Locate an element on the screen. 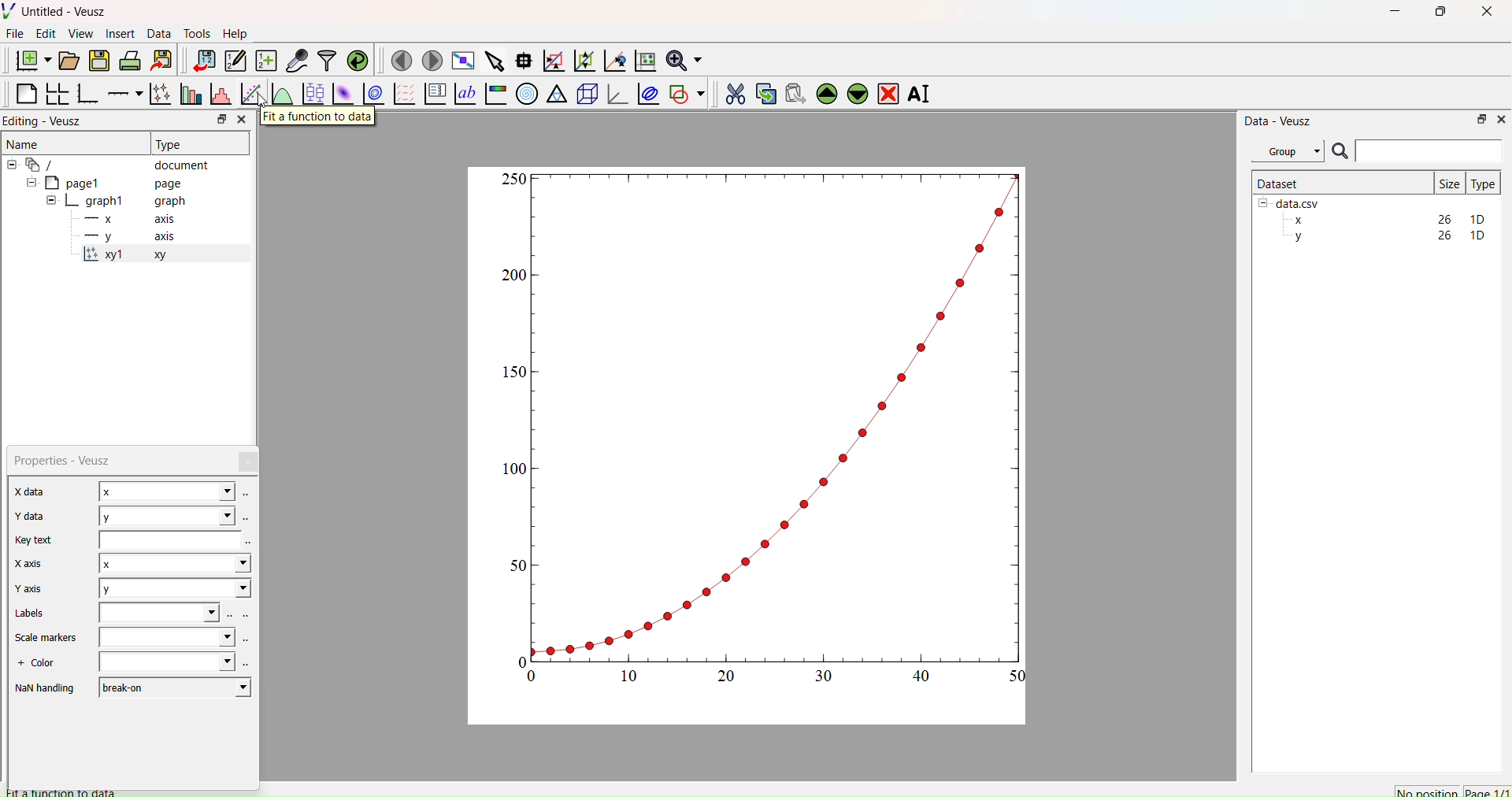 The width and height of the screenshot is (1512, 797). Plot Vector Field is located at coordinates (404, 95).